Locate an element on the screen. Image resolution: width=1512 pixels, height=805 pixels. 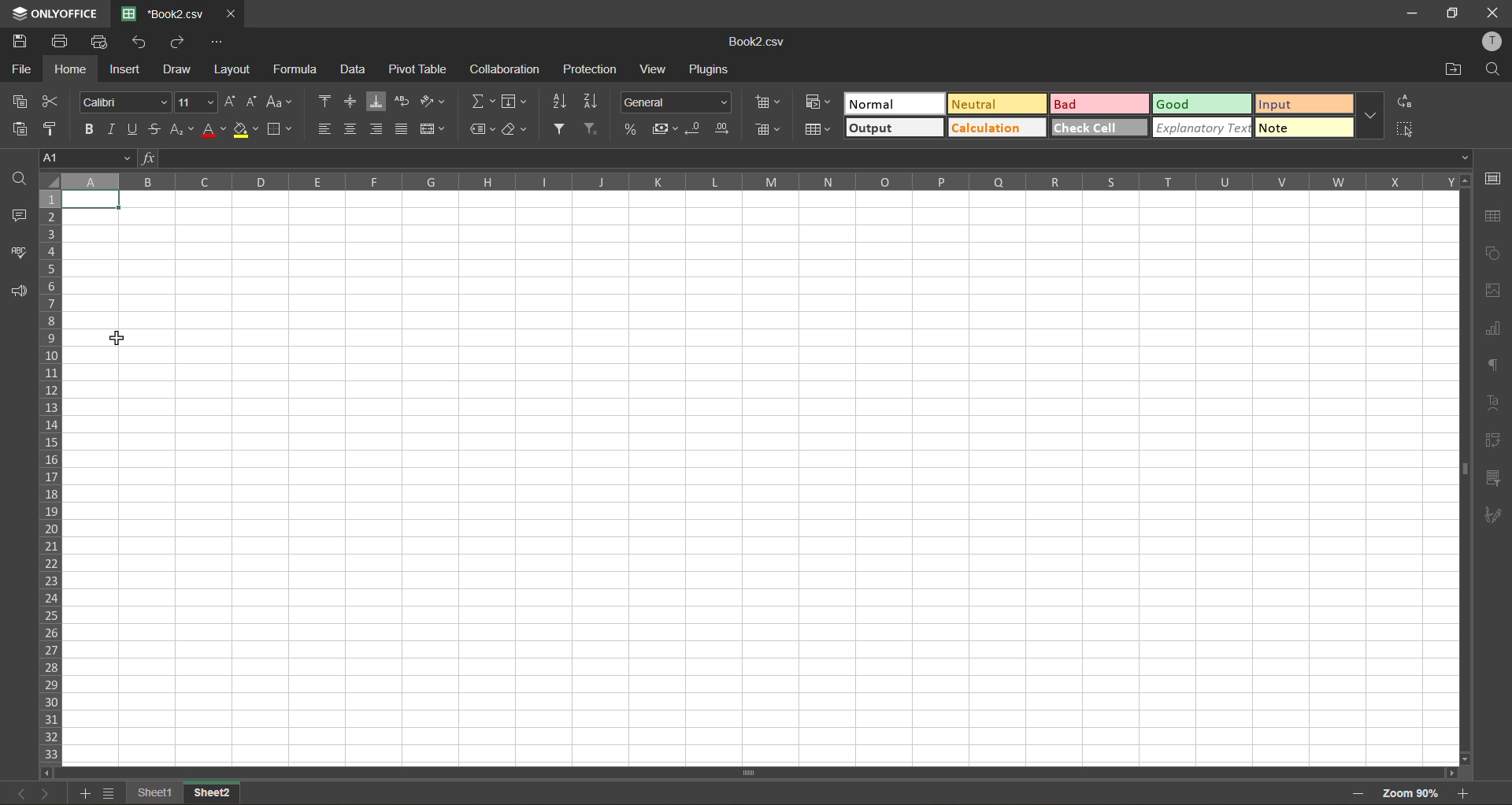
clear filter is located at coordinates (597, 131).